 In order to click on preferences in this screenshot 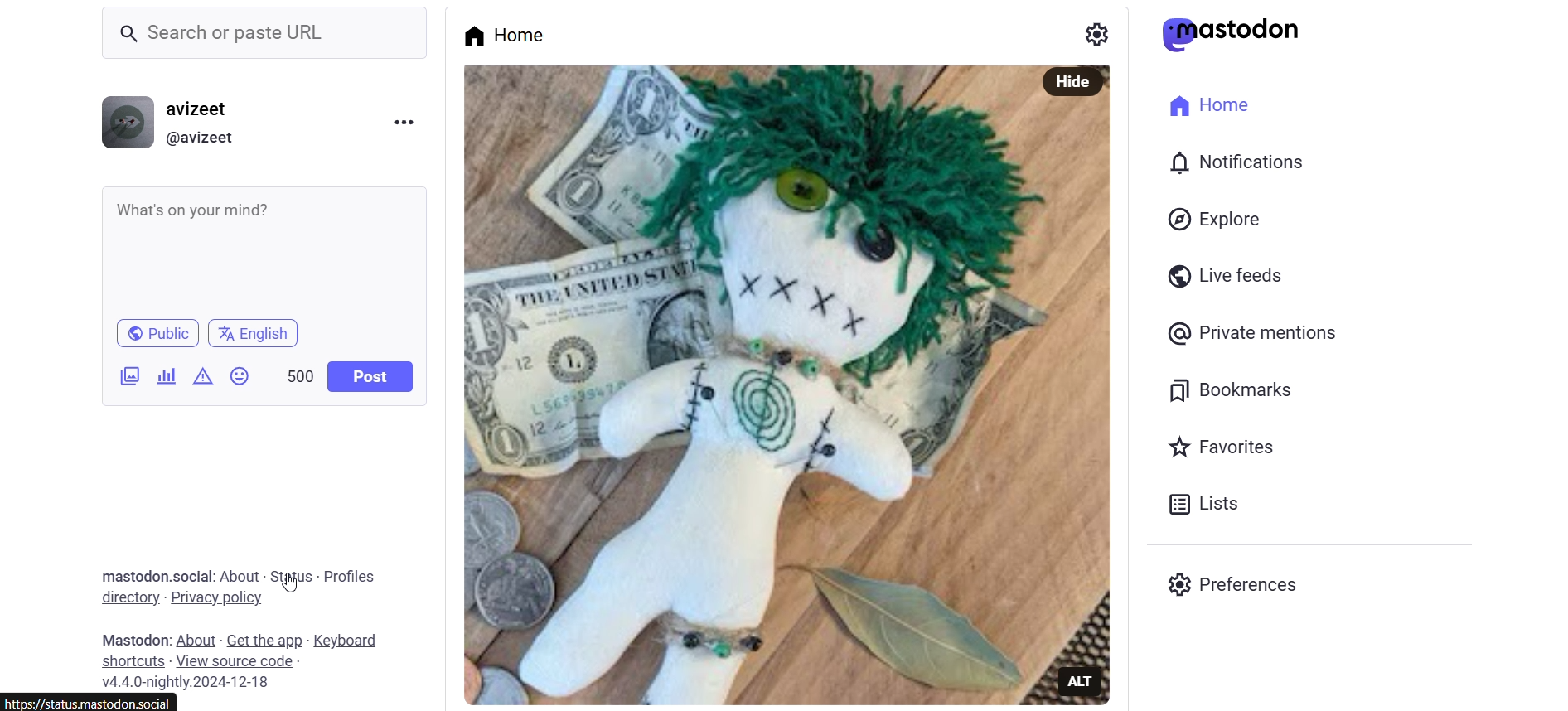, I will do `click(1242, 587)`.